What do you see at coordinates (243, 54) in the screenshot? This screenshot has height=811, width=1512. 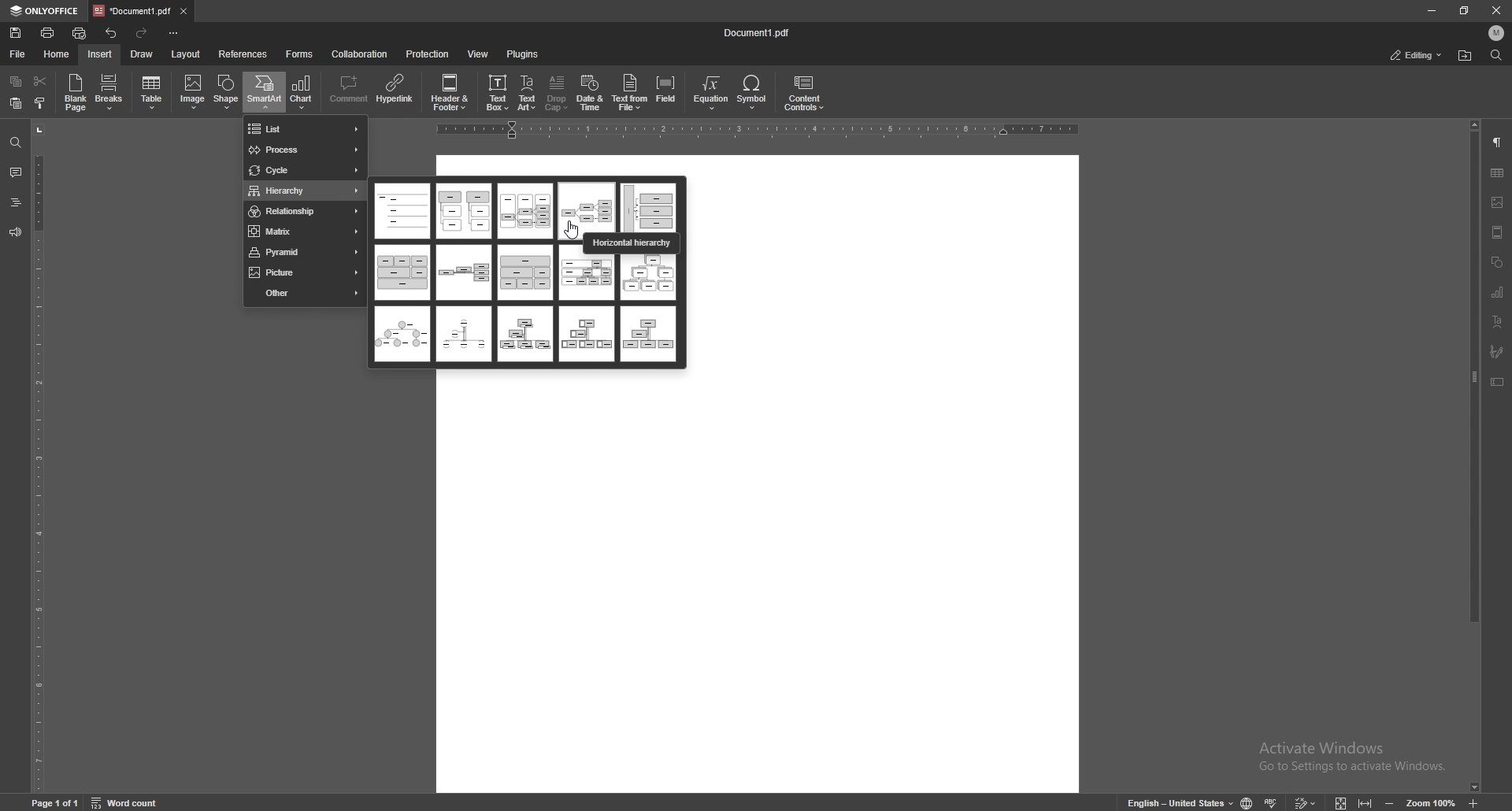 I see `references` at bounding box center [243, 54].